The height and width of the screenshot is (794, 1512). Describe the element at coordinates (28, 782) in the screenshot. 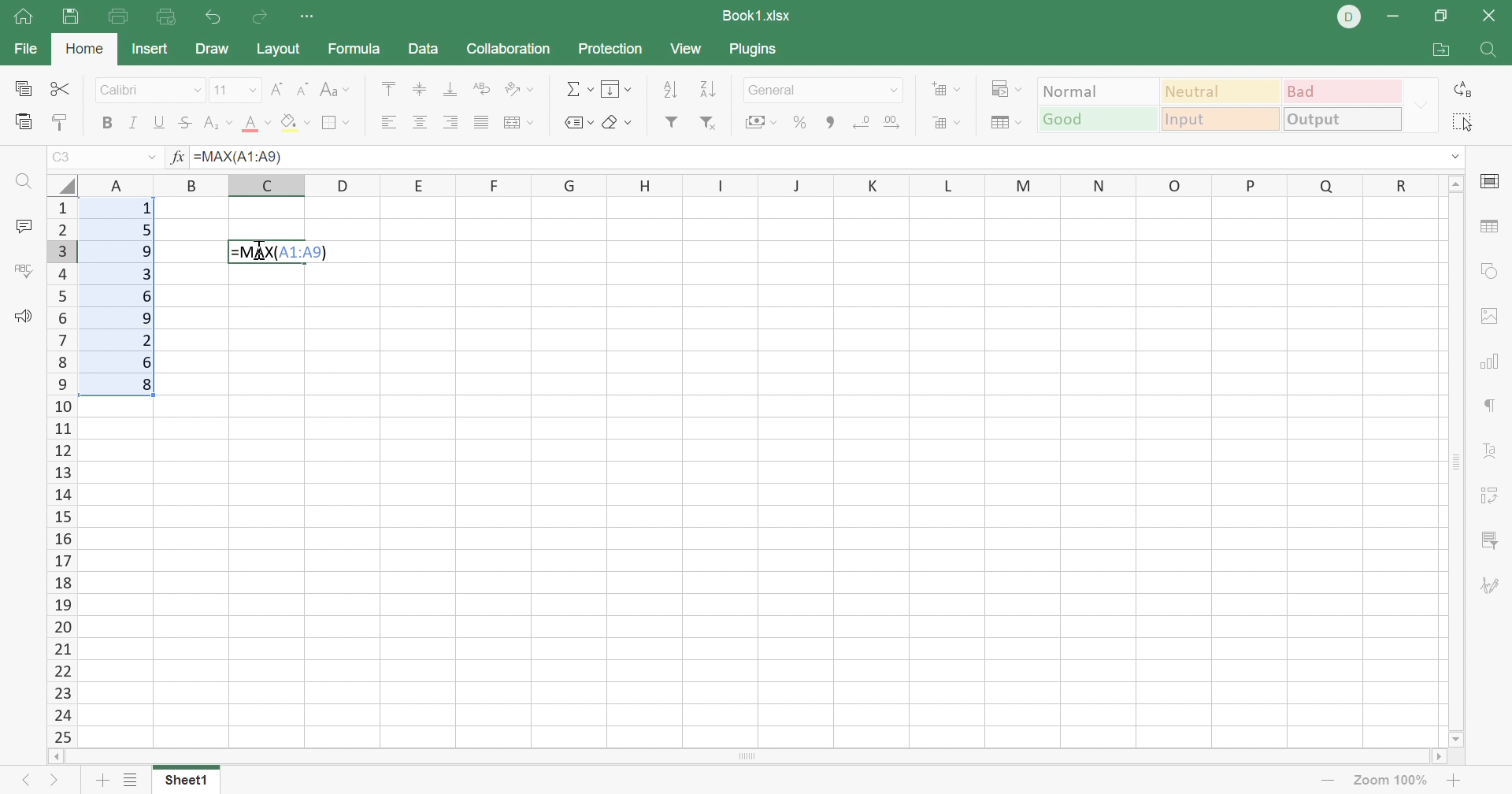

I see `Previous` at that location.